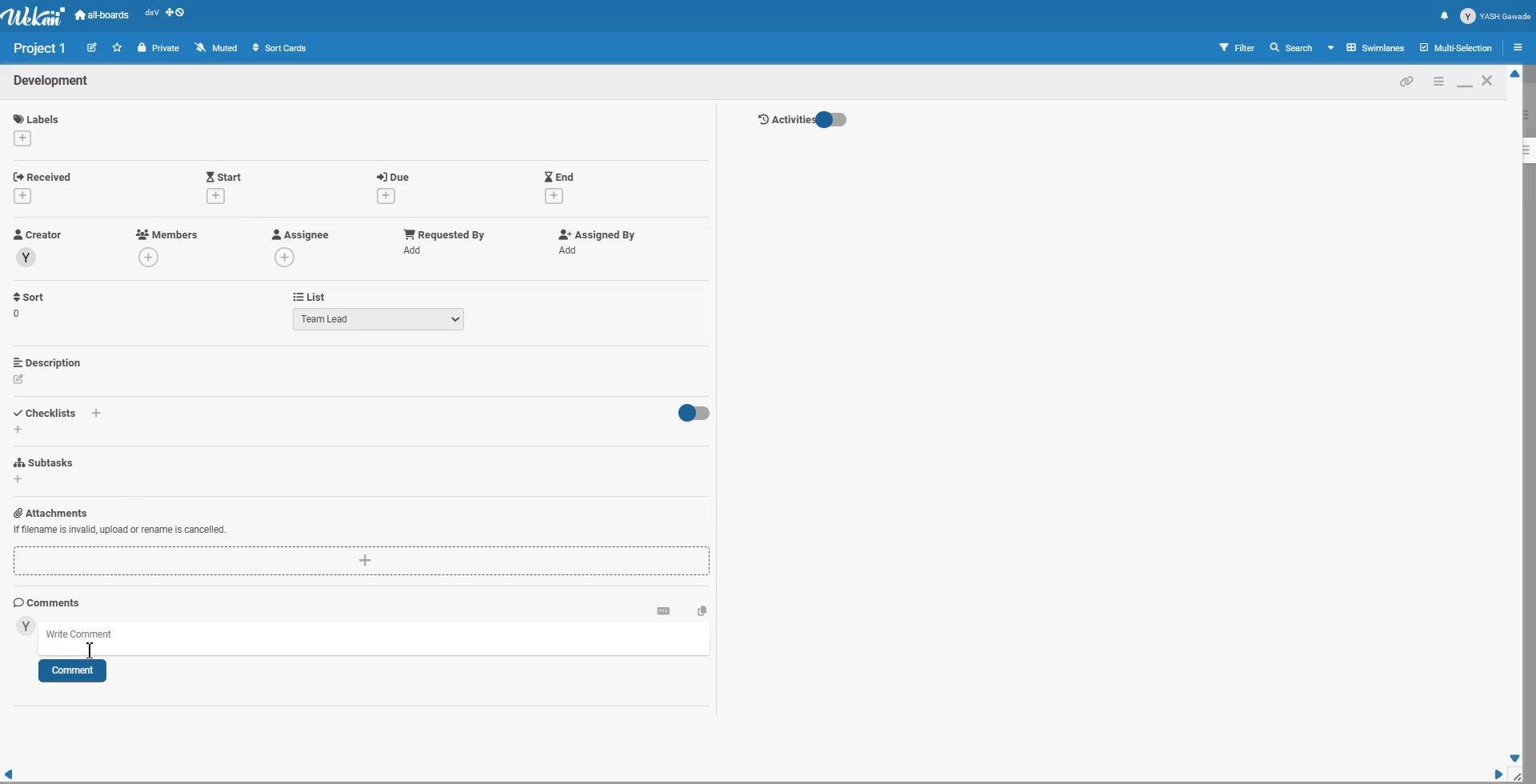 Image resolution: width=1536 pixels, height=784 pixels. Describe the element at coordinates (18, 429) in the screenshot. I see `add` at that location.